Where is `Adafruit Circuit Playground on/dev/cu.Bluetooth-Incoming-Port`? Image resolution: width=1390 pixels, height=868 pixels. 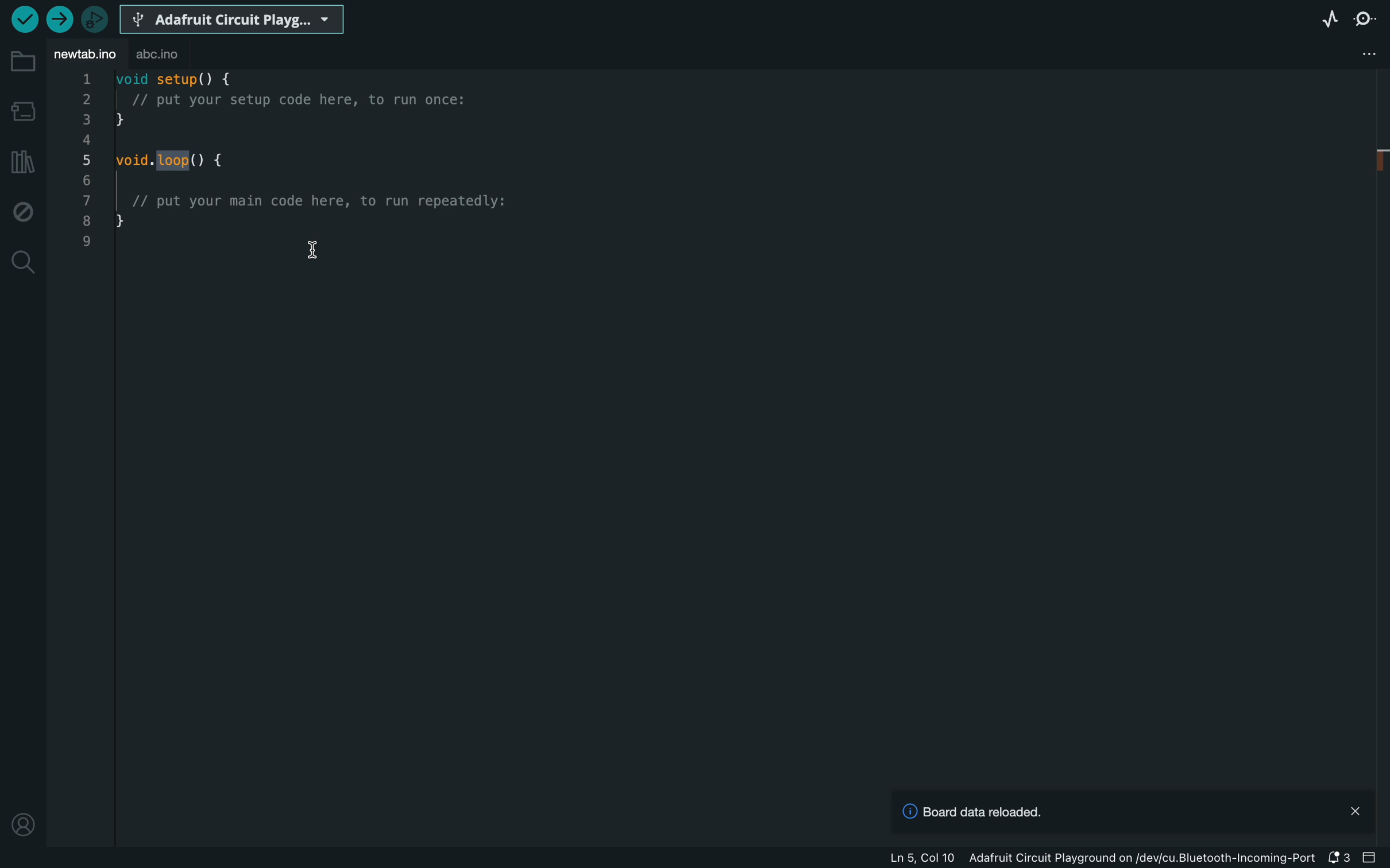 Adafruit Circuit Playground on/dev/cu.Bluetooth-Incoming-Port is located at coordinates (1144, 858).